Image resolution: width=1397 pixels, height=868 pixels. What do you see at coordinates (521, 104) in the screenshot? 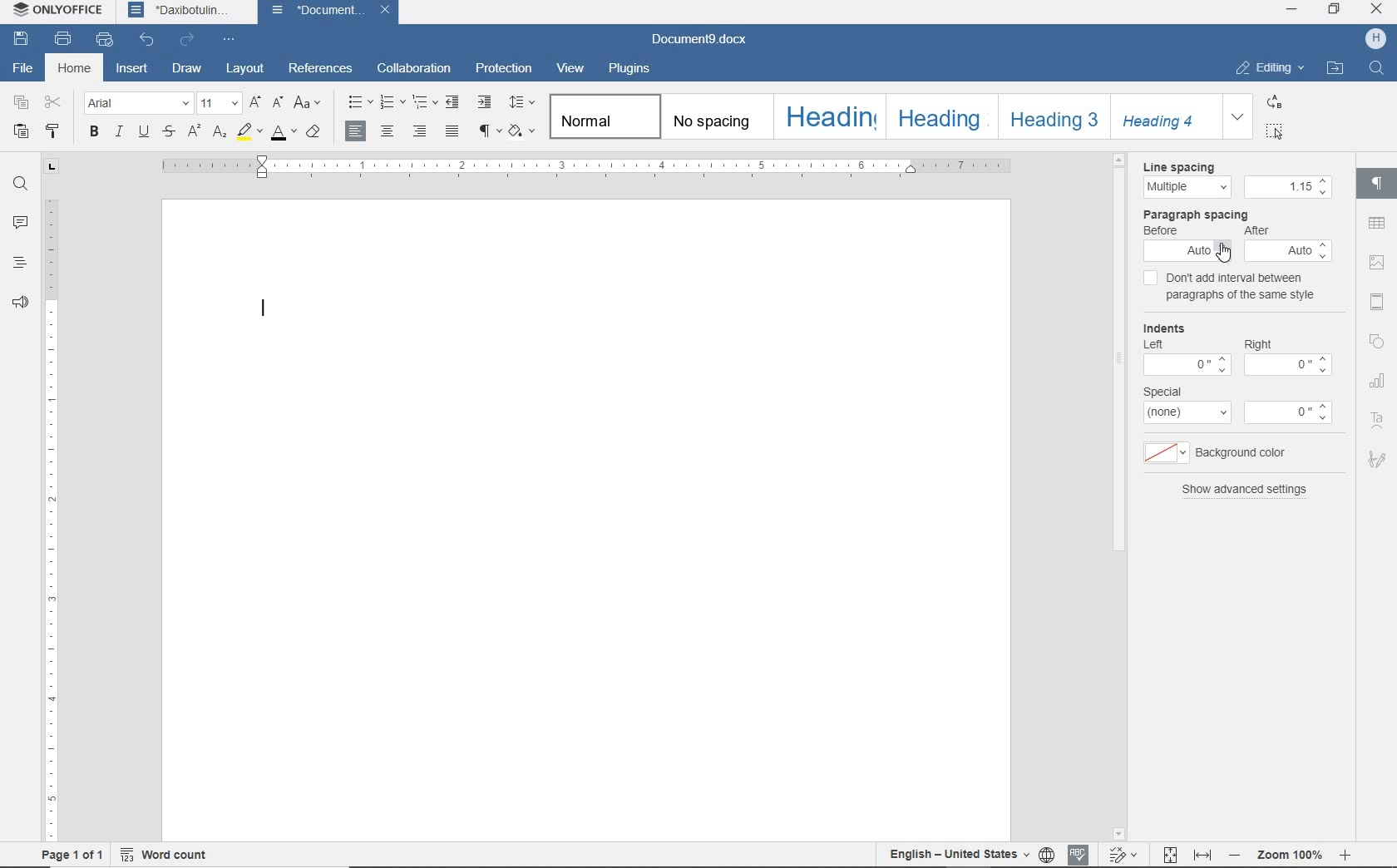
I see `paragraph line spacing` at bounding box center [521, 104].